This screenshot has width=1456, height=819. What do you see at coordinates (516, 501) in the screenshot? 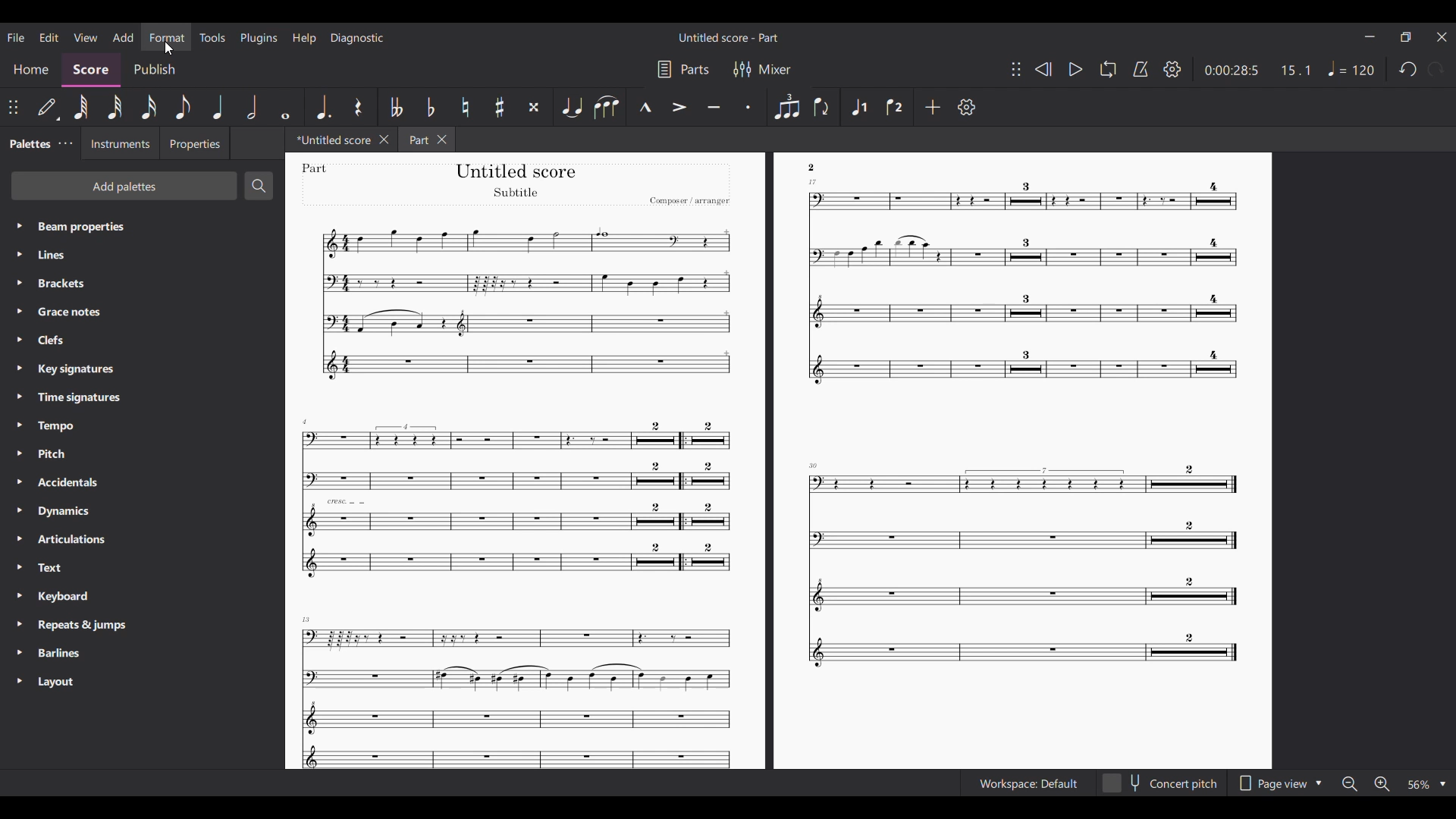
I see `` at bounding box center [516, 501].